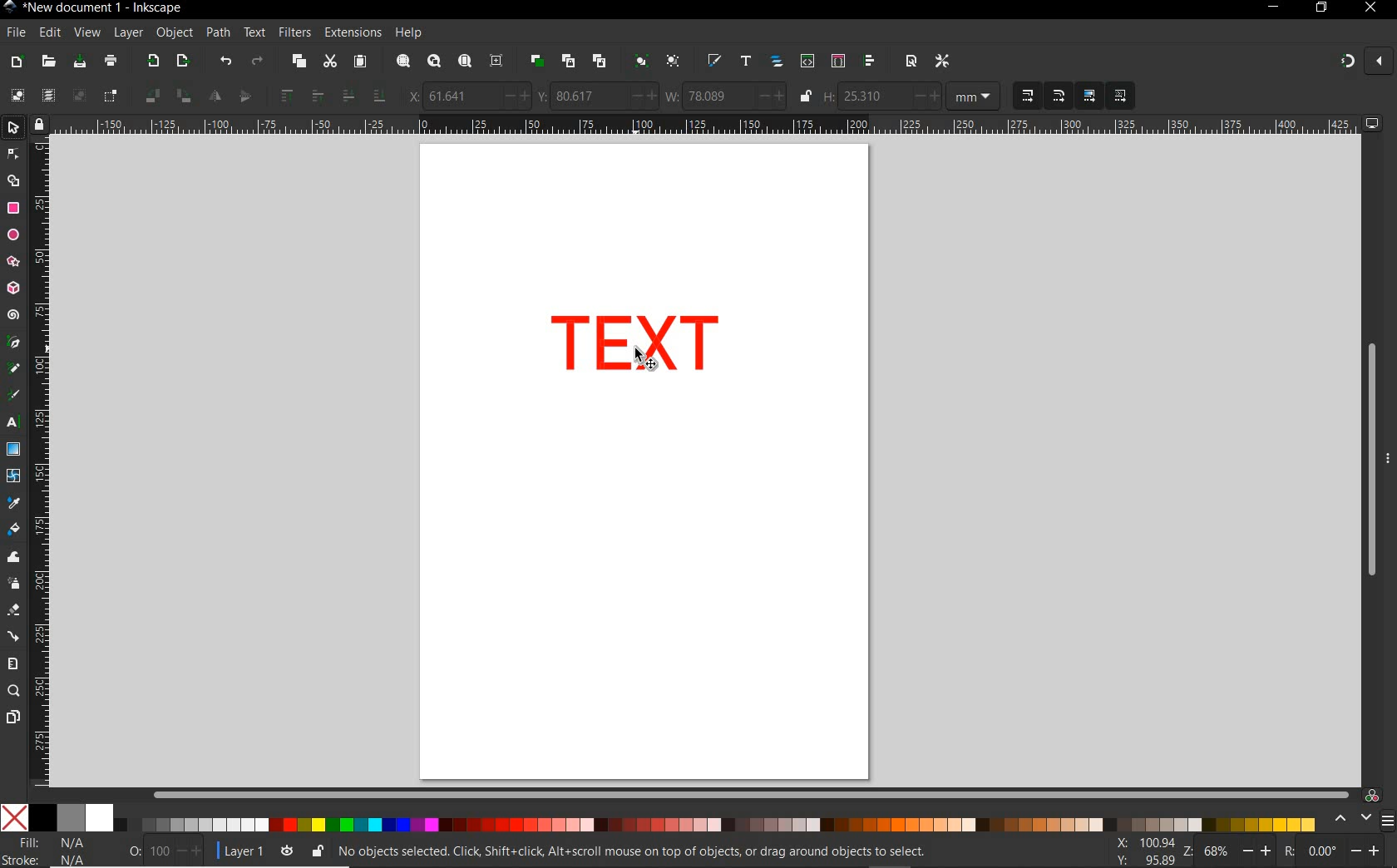 The width and height of the screenshot is (1397, 868). What do you see at coordinates (13, 317) in the screenshot?
I see `spiral tool` at bounding box center [13, 317].